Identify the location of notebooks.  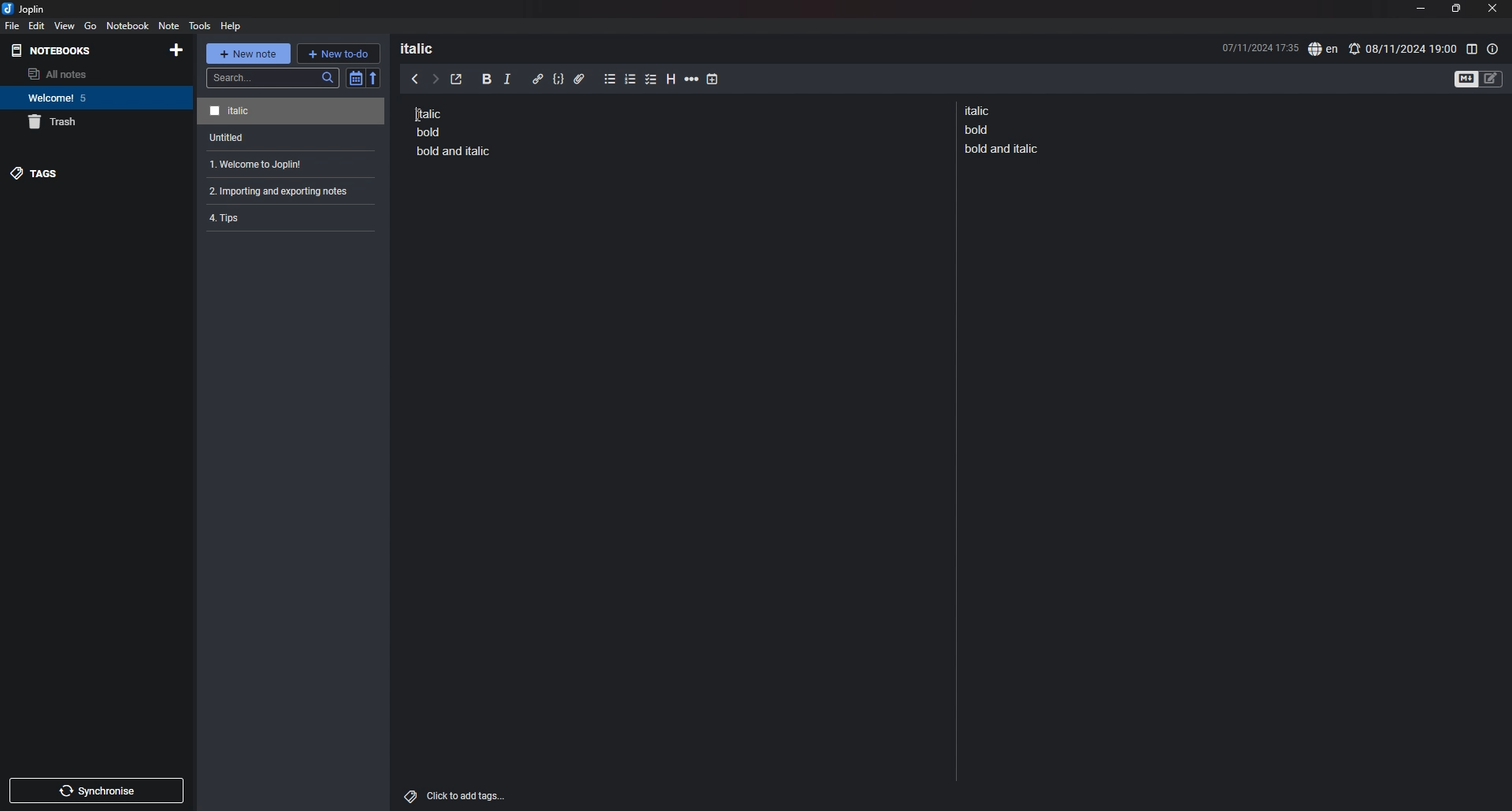
(55, 50).